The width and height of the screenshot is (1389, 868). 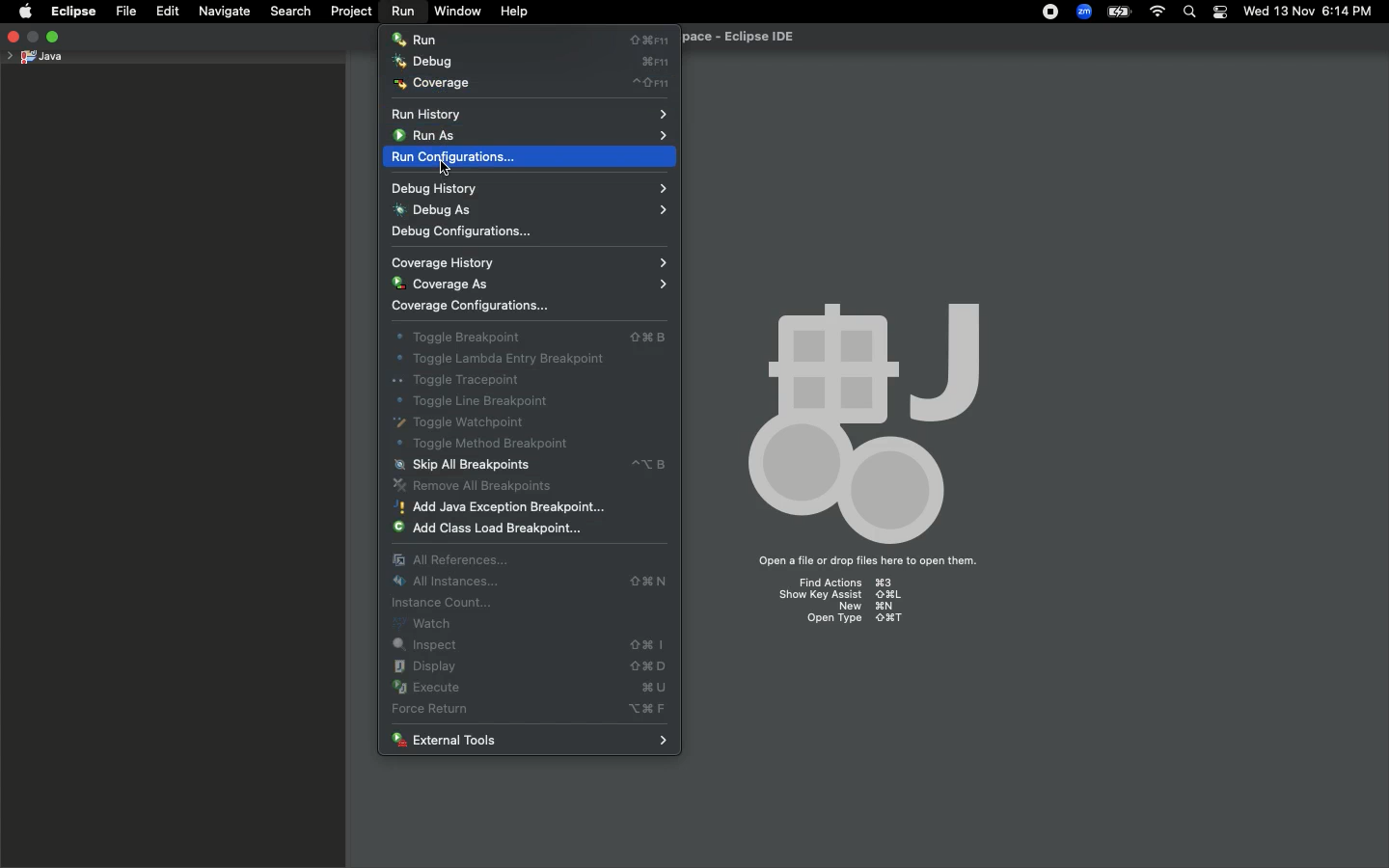 What do you see at coordinates (532, 711) in the screenshot?
I see `Force return` at bounding box center [532, 711].